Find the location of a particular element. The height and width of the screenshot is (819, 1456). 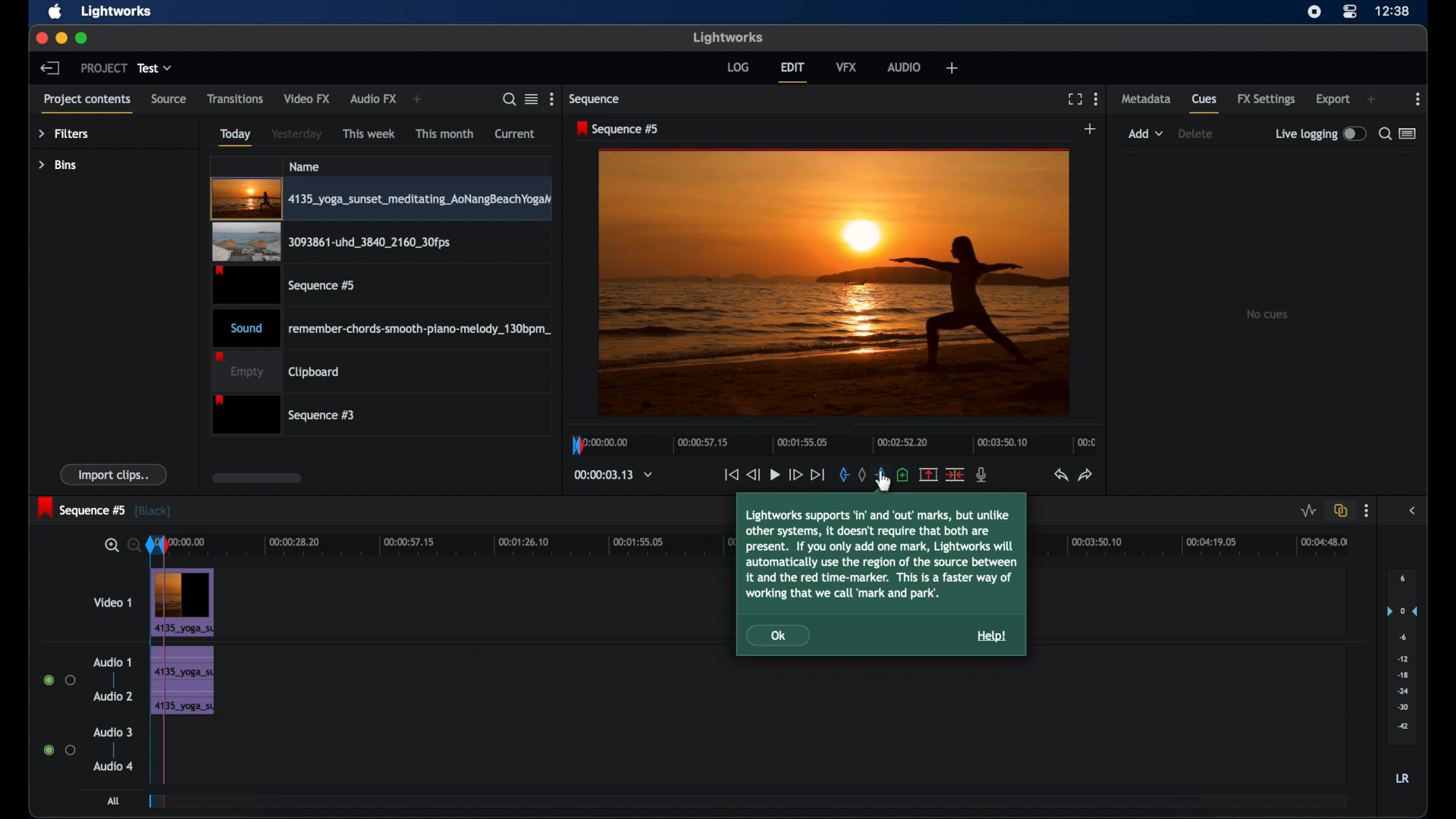

split is located at coordinates (955, 475).